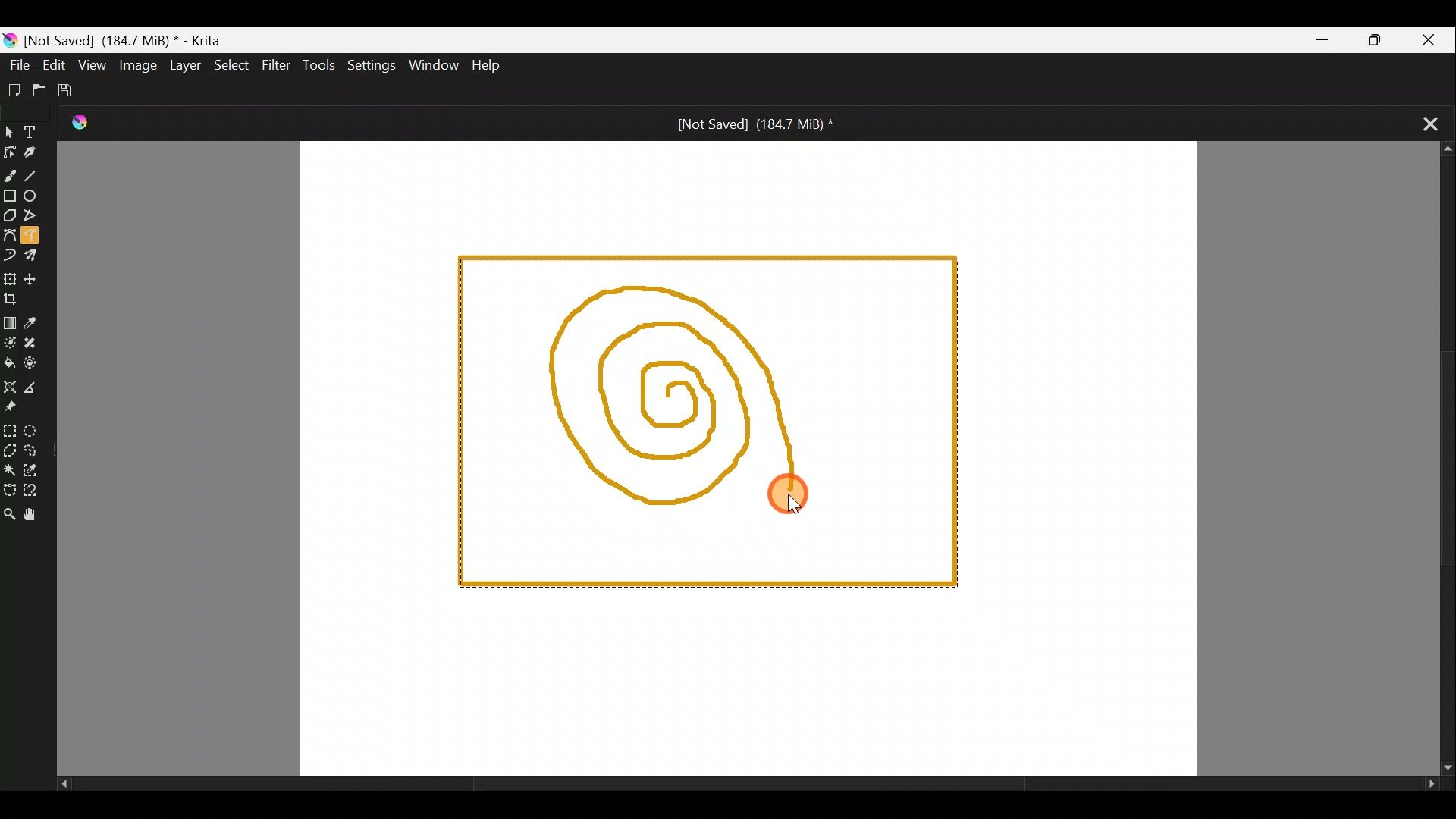 This screenshot has width=1456, height=819. I want to click on Freehand brush tool, so click(9, 175).